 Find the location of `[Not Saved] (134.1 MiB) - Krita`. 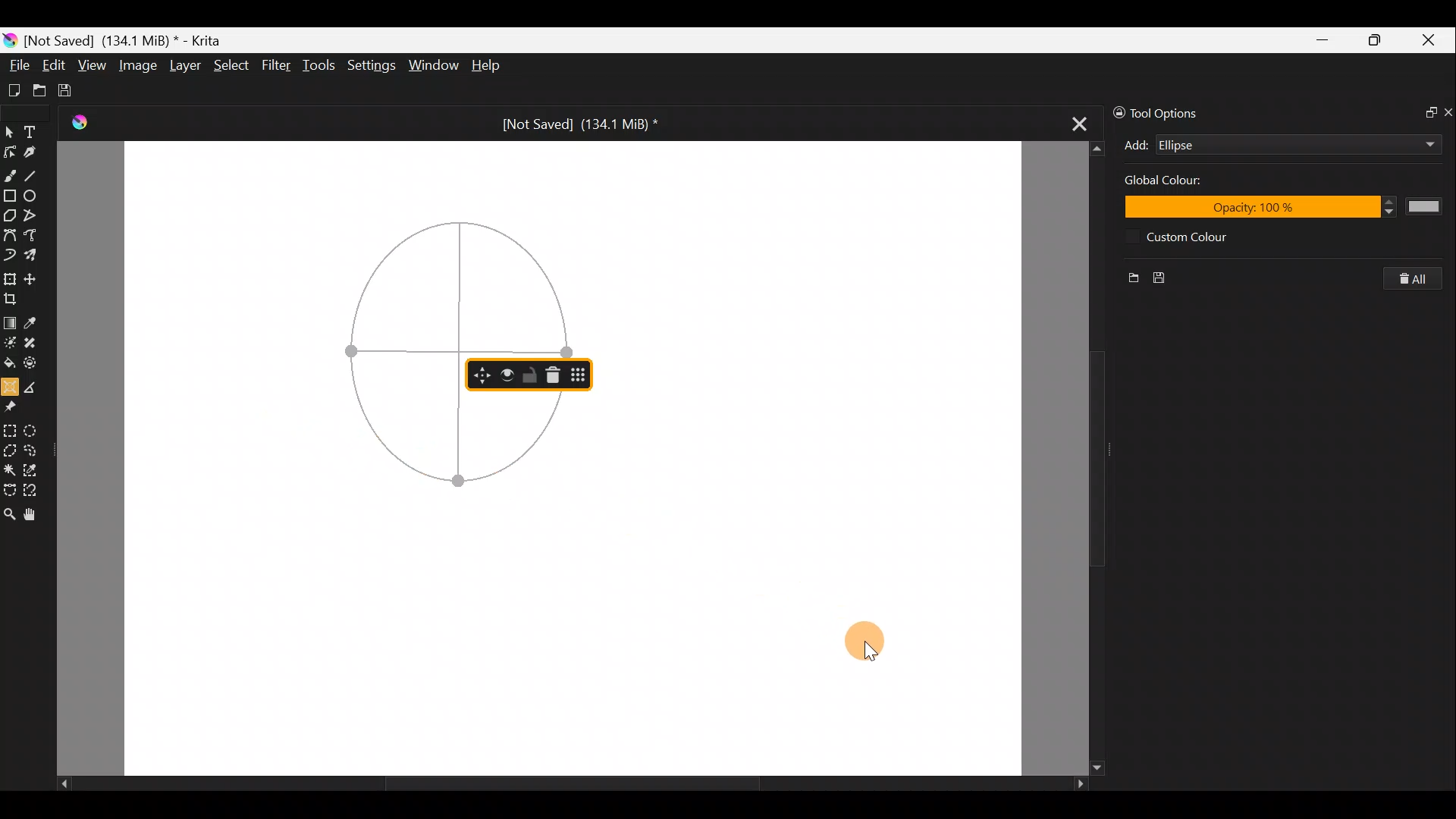

[Not Saved] (134.1 MiB) - Krita is located at coordinates (132, 41).